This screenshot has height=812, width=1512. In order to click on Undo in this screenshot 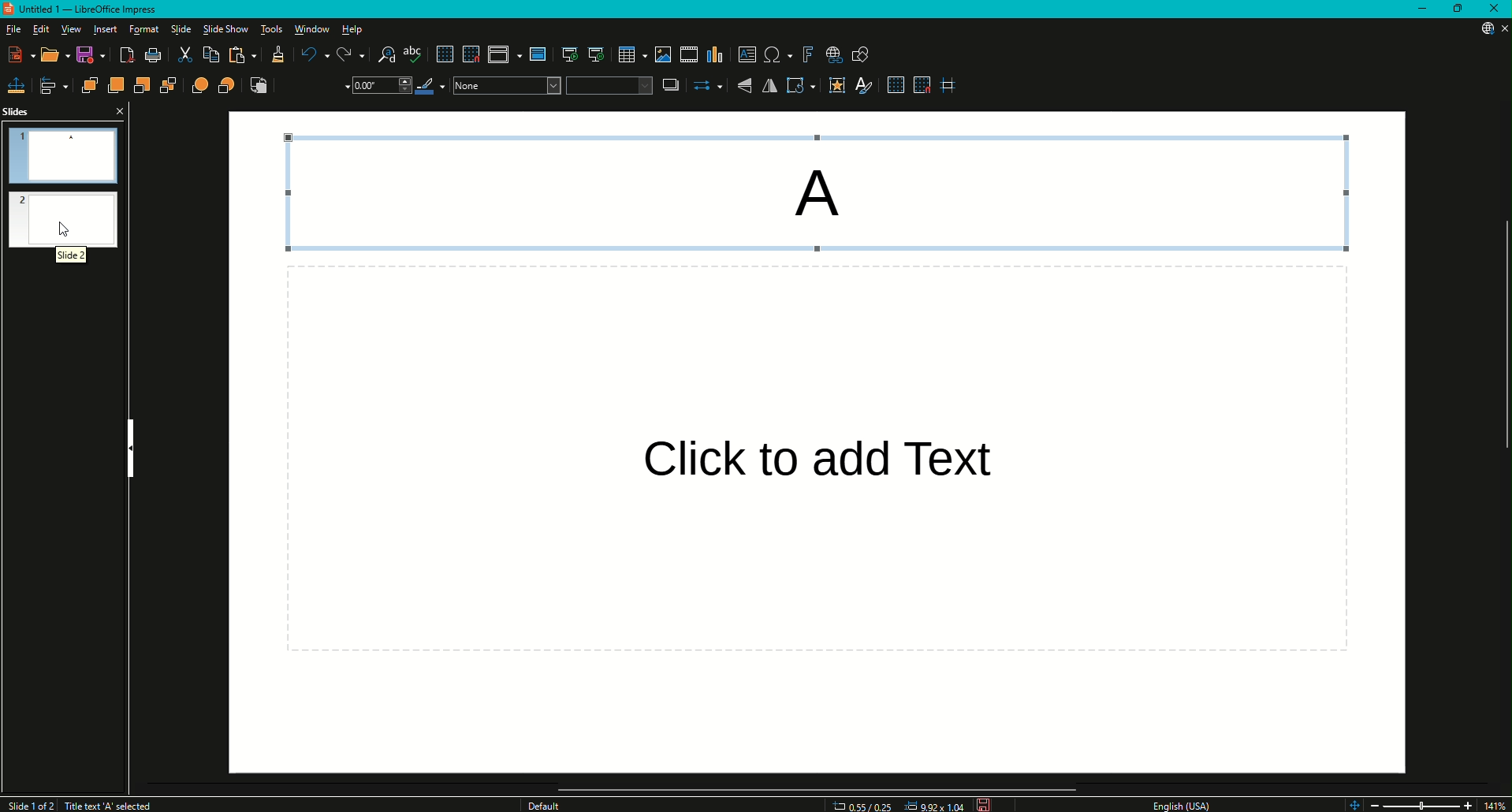, I will do `click(311, 54)`.